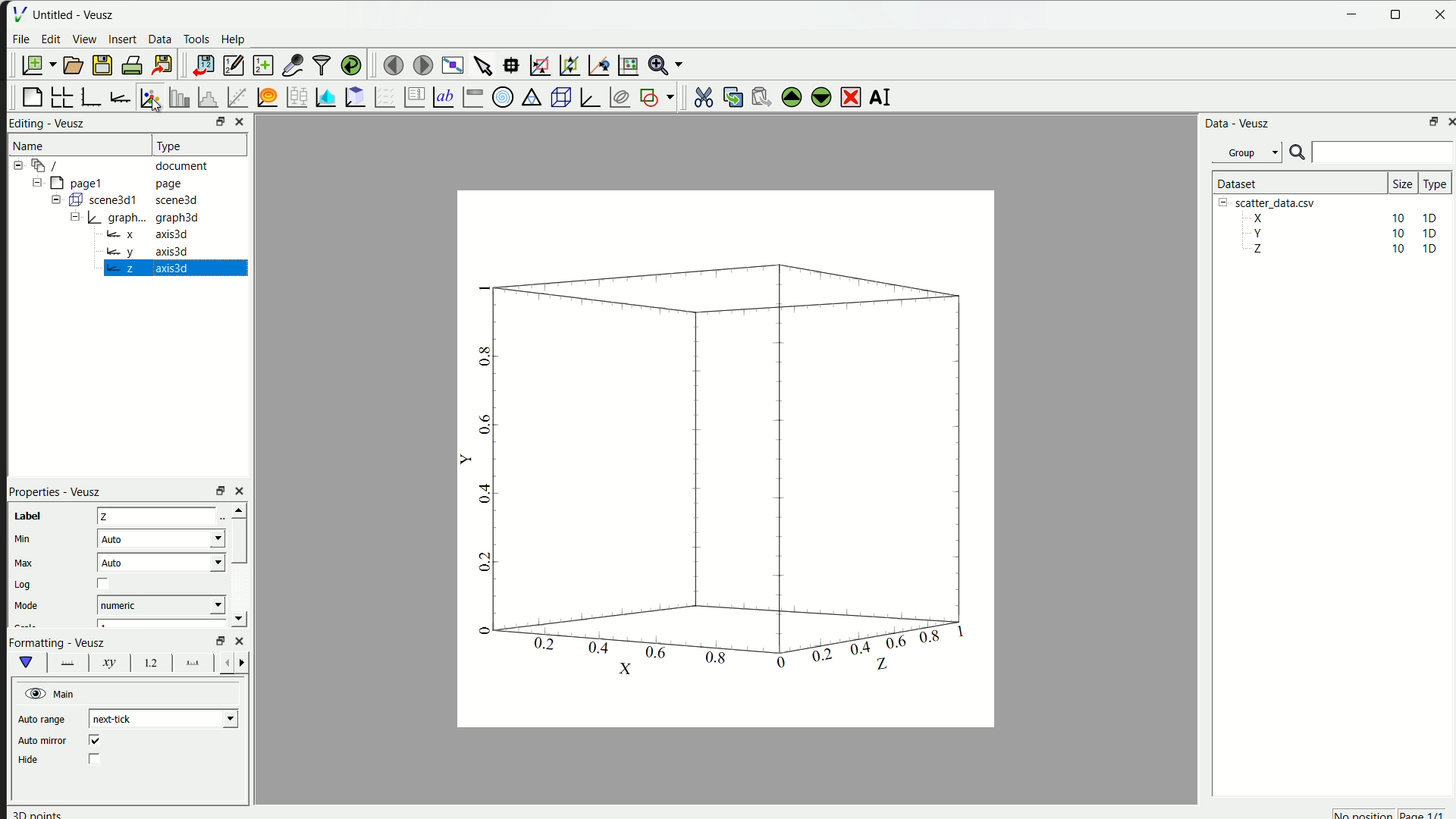 The image size is (1456, 819). Describe the element at coordinates (71, 122) in the screenshot. I see `Veusz` at that location.